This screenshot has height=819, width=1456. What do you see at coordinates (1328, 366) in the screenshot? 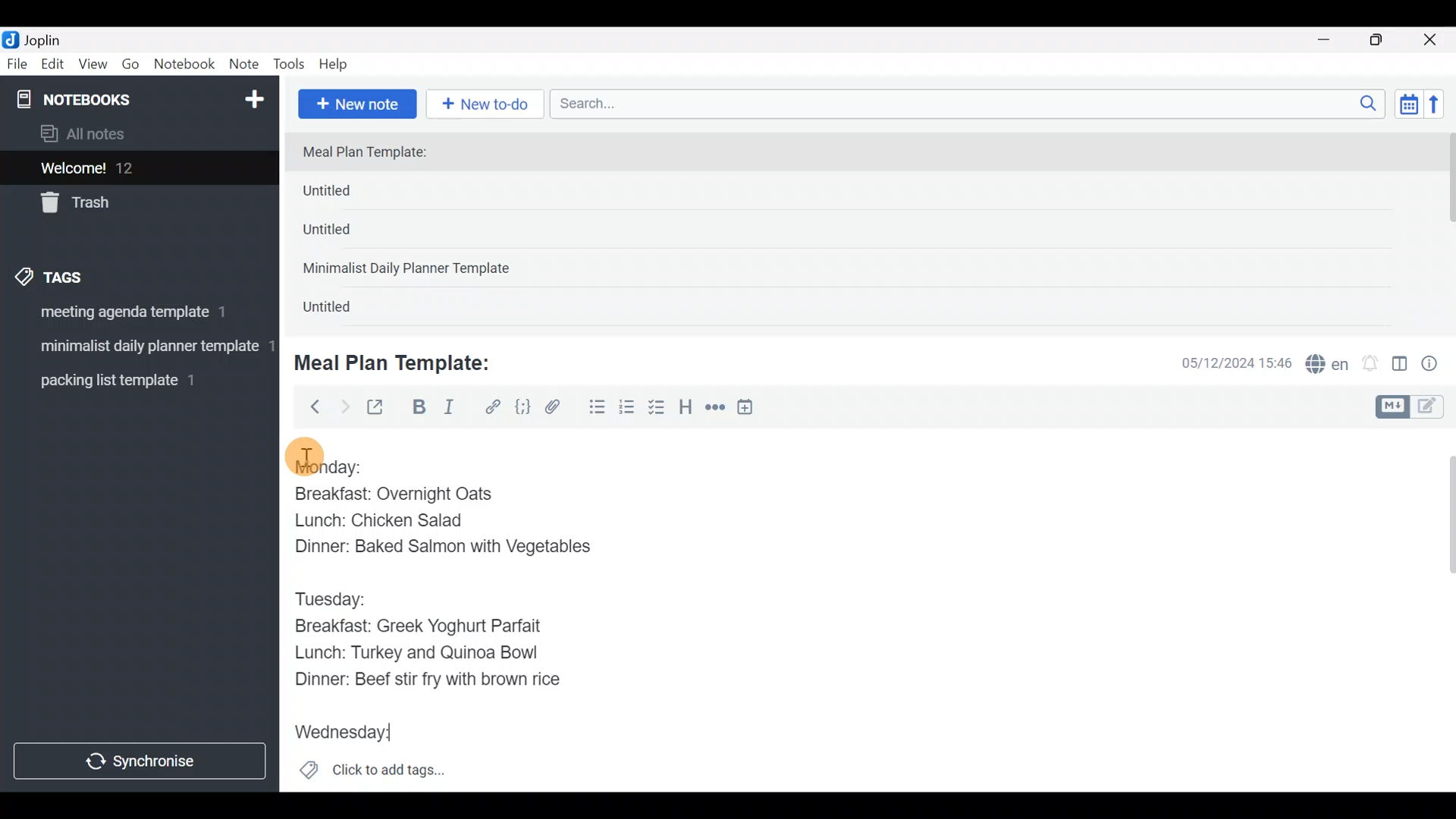
I see `Spelling` at bounding box center [1328, 366].